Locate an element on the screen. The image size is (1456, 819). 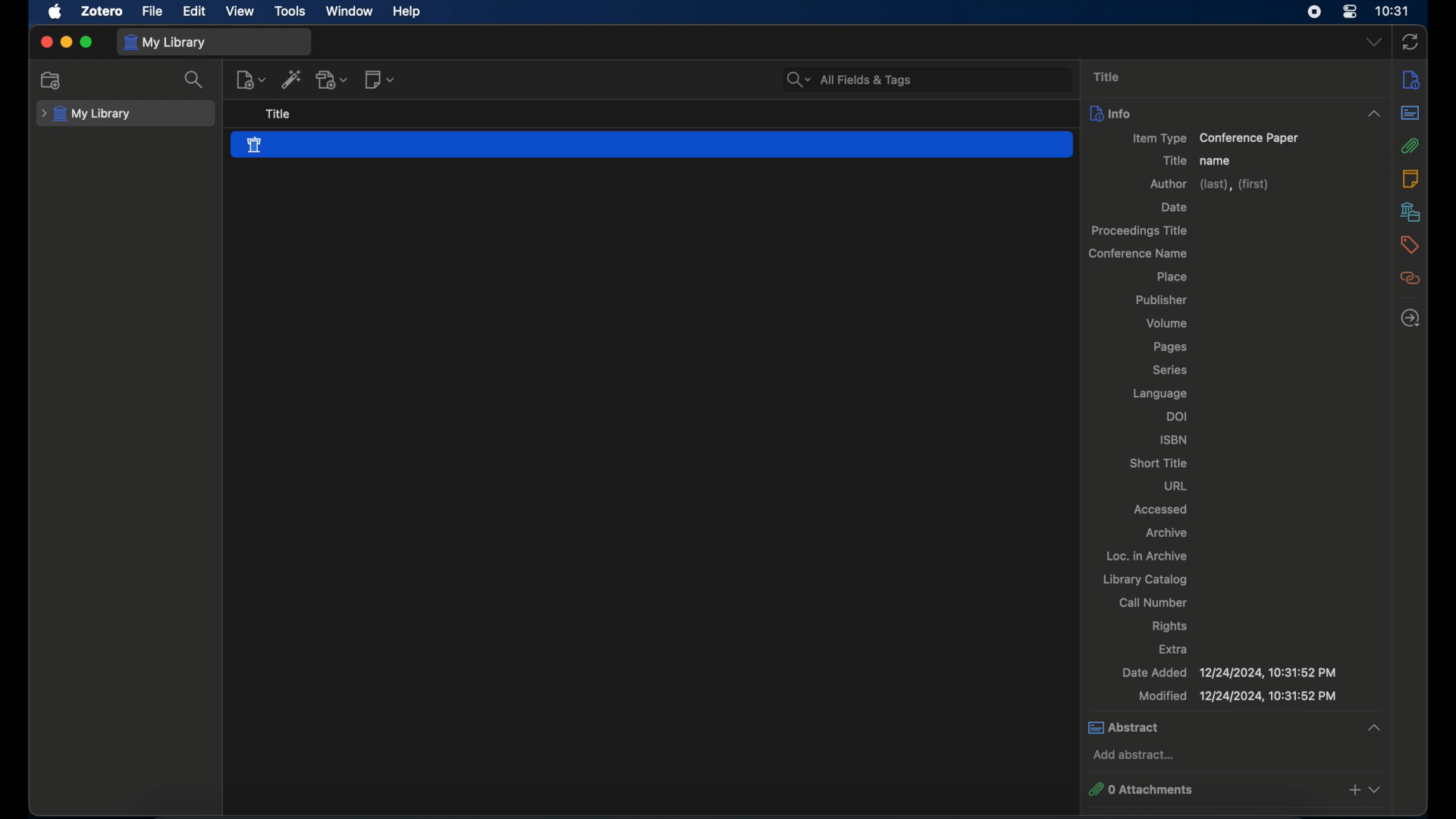
window is located at coordinates (350, 11).